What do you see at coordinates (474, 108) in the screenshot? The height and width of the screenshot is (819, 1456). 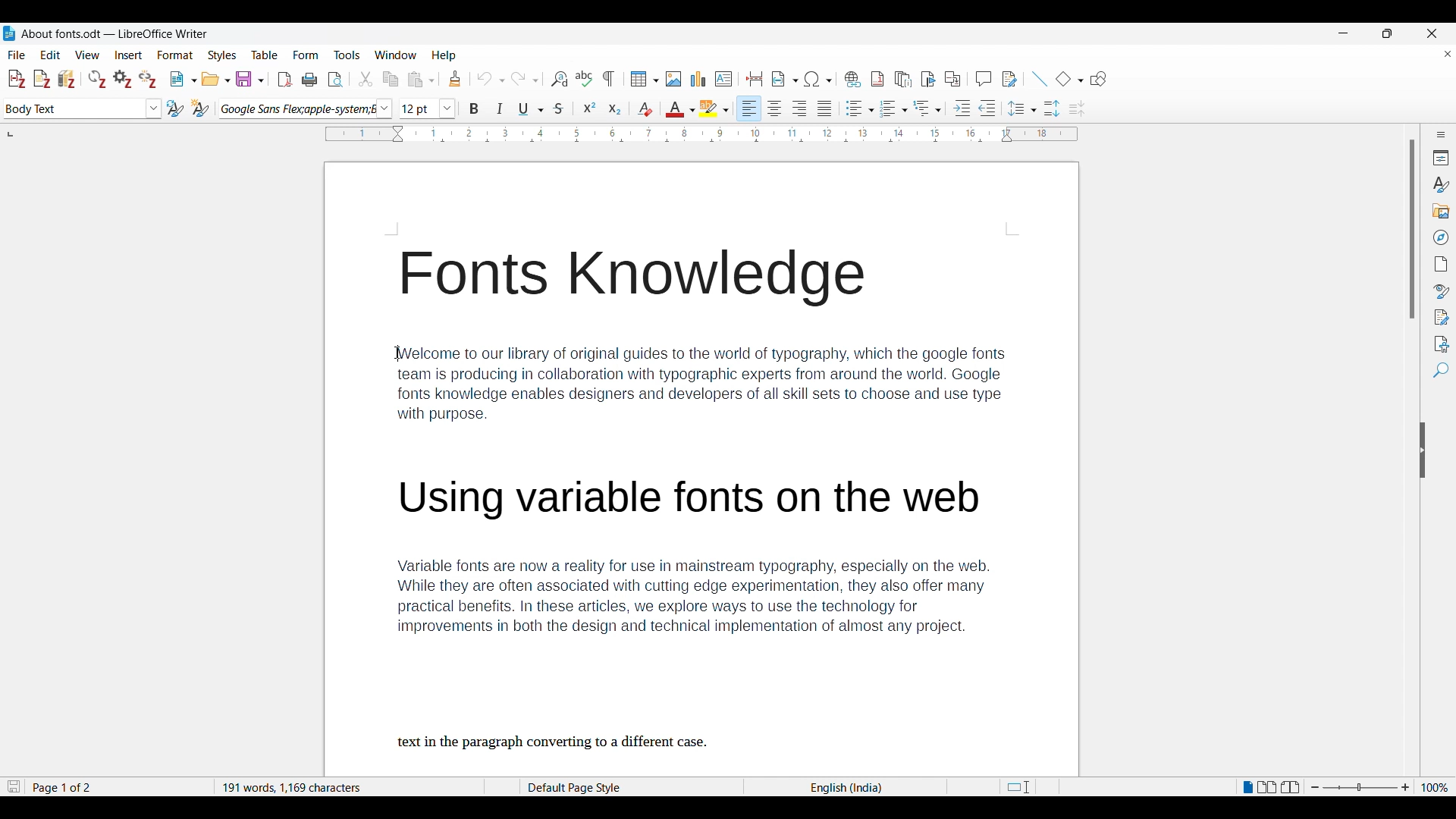 I see `Bold` at bounding box center [474, 108].